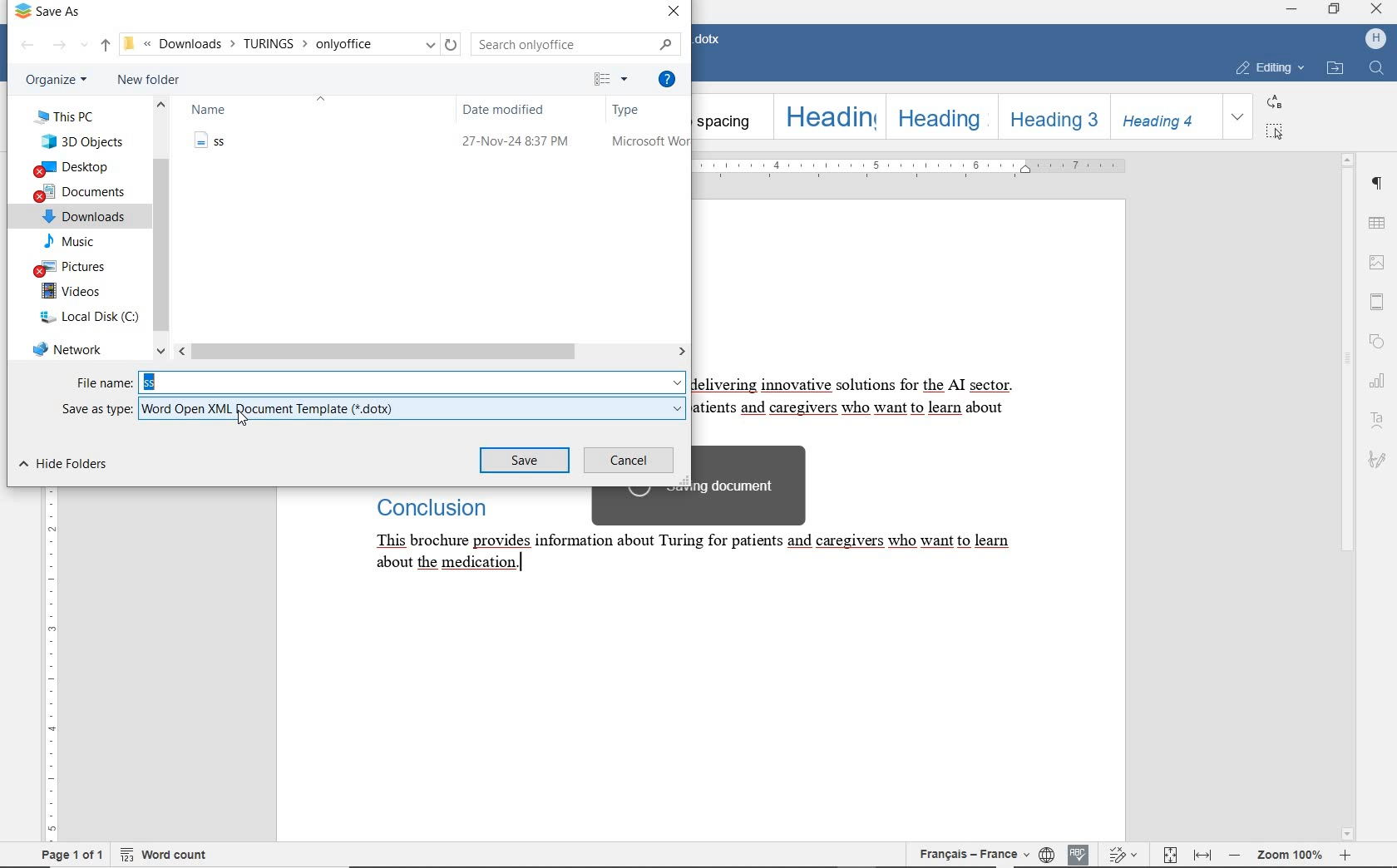 This screenshot has width=1397, height=868. I want to click on CHANGE YOUR VIEW, so click(614, 81).